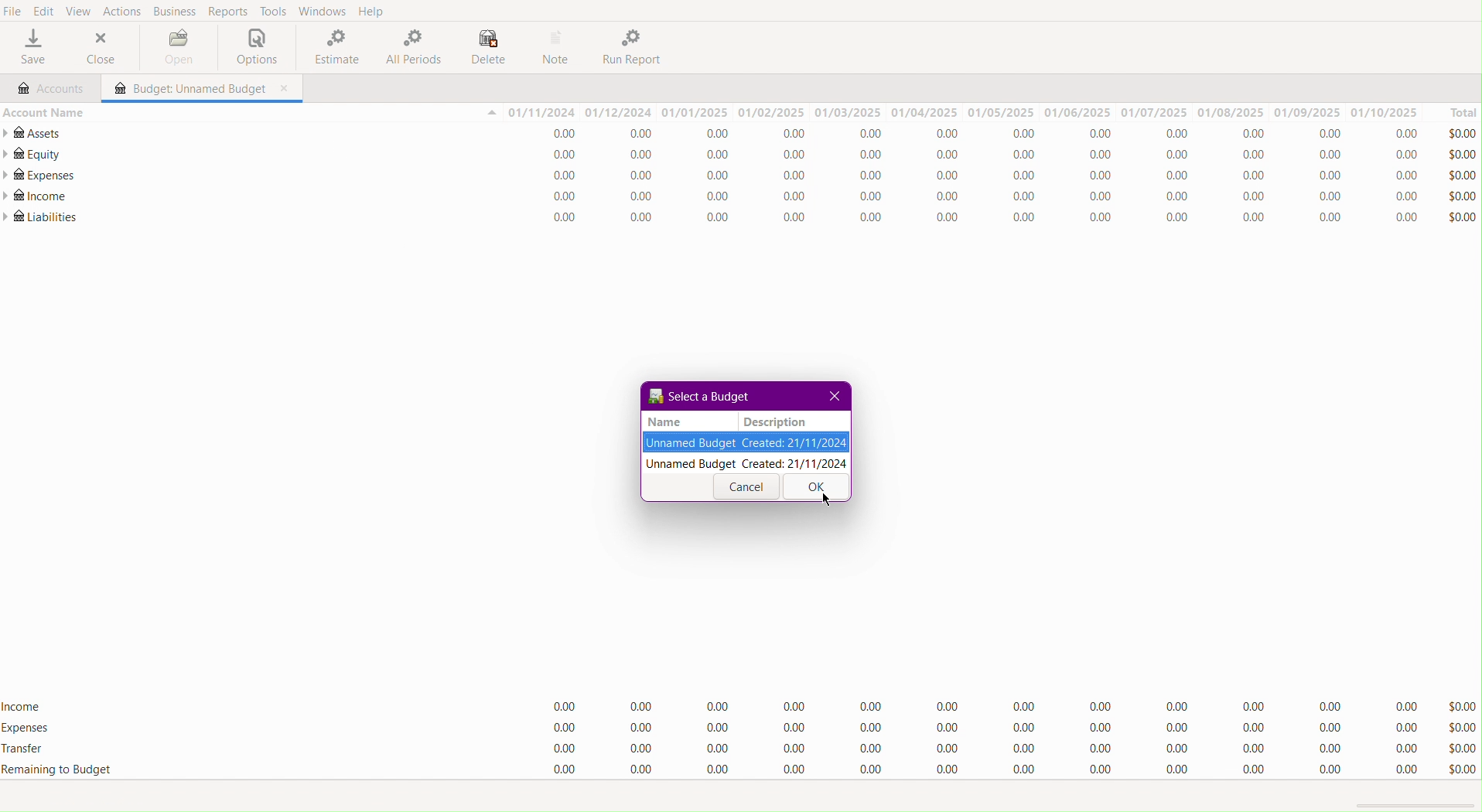 Image resolution: width=1482 pixels, height=812 pixels. Describe the element at coordinates (36, 133) in the screenshot. I see `Assets` at that location.